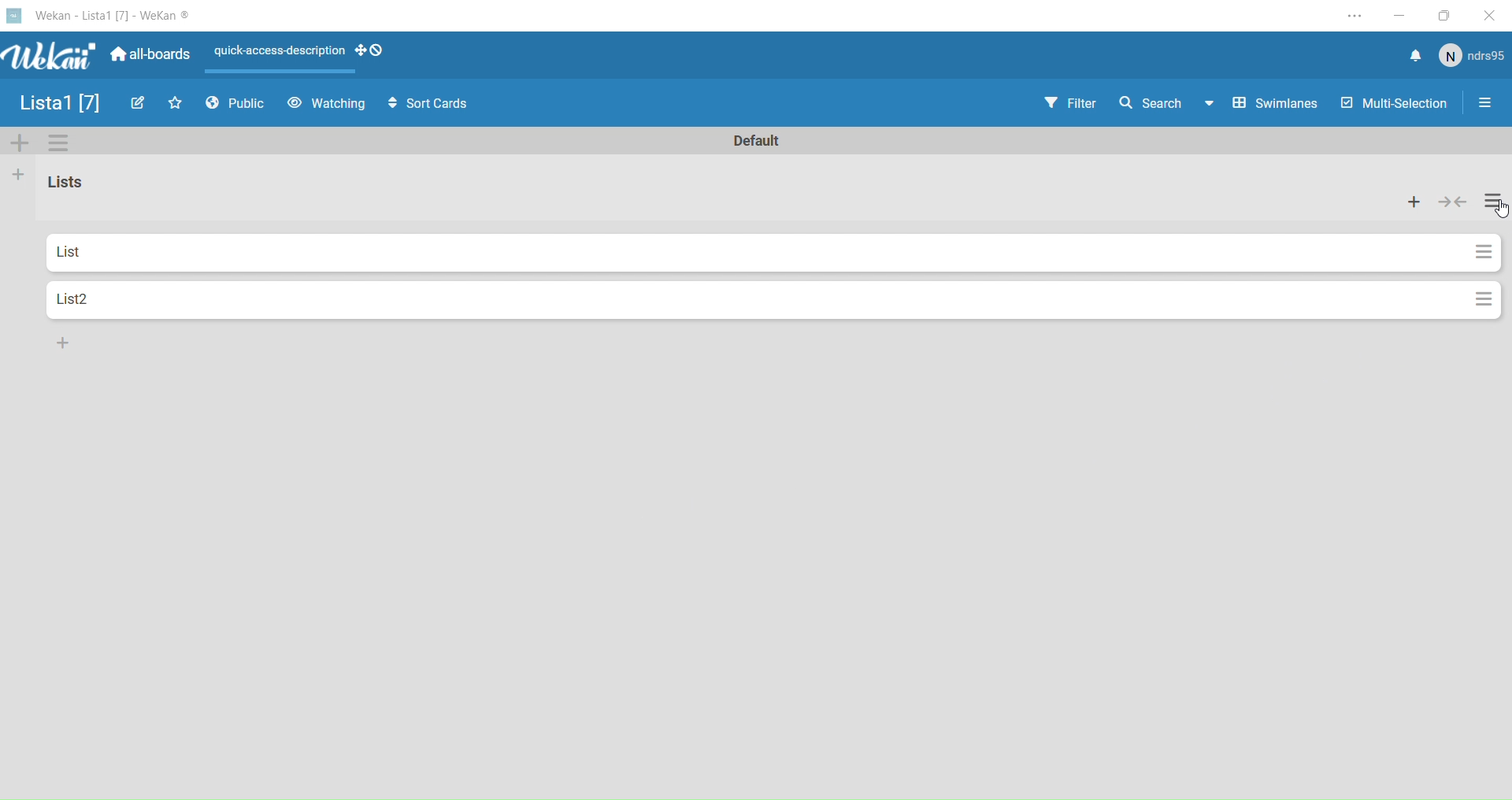 The width and height of the screenshot is (1512, 800). I want to click on desktop drag handles, so click(373, 48).